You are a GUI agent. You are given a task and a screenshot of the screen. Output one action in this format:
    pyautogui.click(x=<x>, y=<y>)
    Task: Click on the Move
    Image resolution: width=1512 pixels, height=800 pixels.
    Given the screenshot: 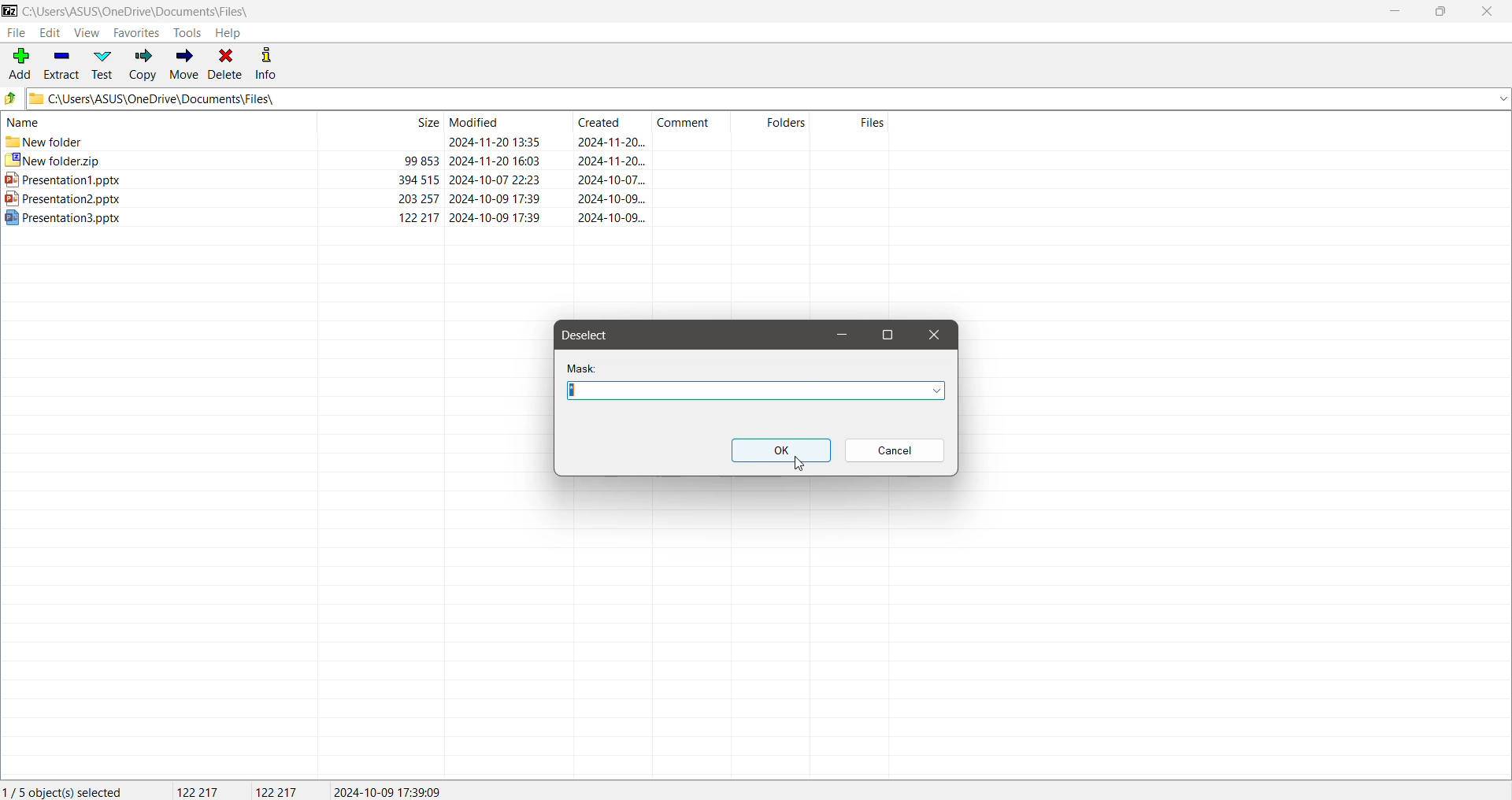 What is the action you would take?
    pyautogui.click(x=184, y=65)
    